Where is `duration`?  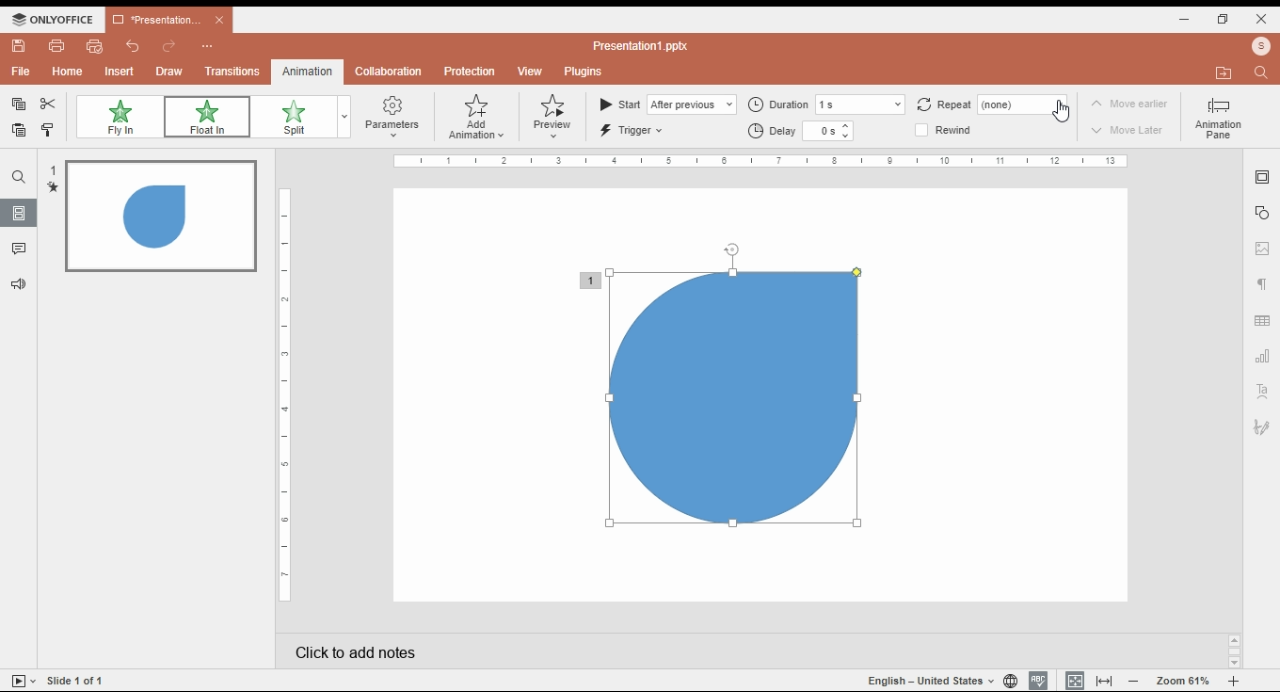 duration is located at coordinates (826, 103).